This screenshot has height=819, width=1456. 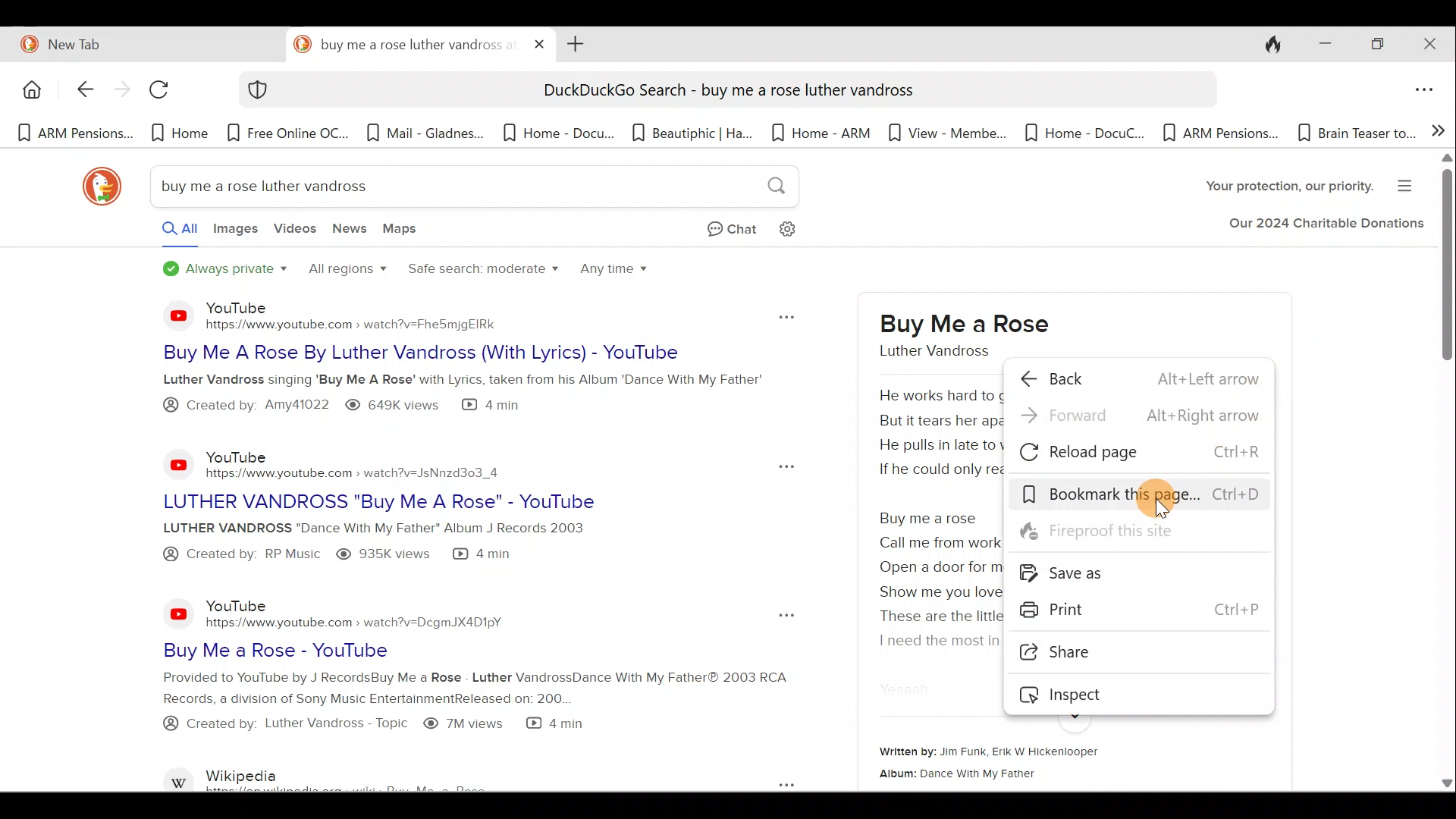 What do you see at coordinates (770, 783) in the screenshot?
I see `Pop out` at bounding box center [770, 783].